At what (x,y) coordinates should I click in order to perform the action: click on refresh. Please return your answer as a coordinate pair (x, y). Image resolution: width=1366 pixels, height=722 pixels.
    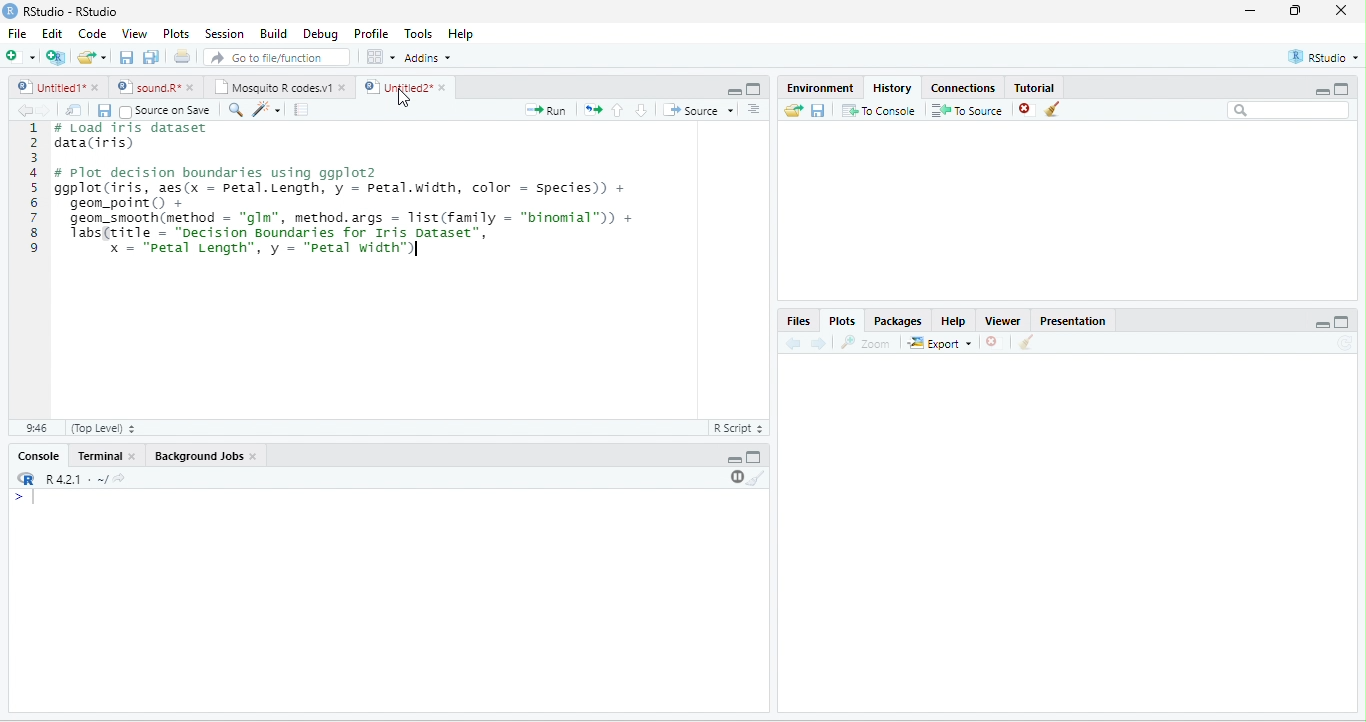
    Looking at the image, I should click on (1344, 343).